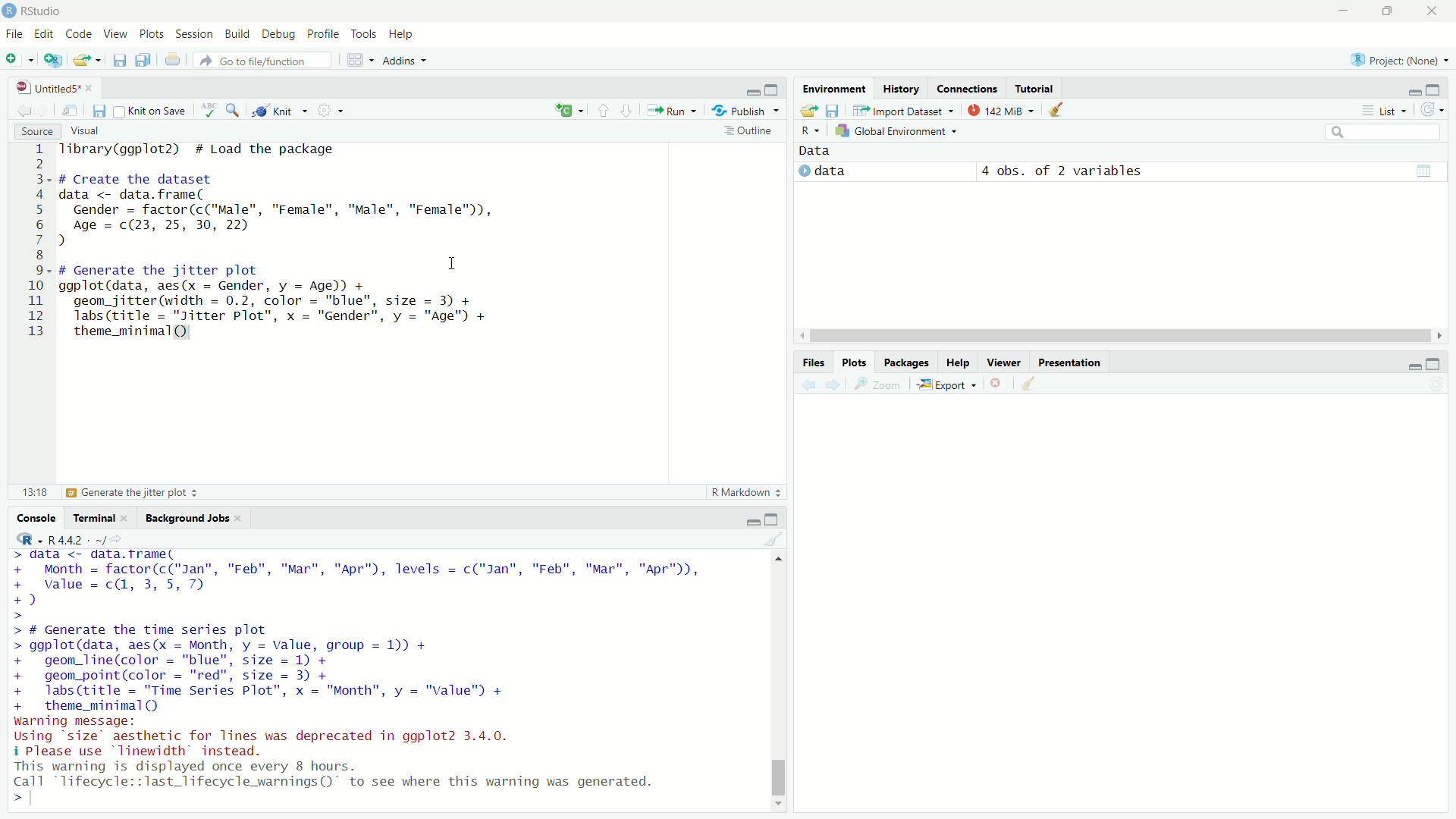 The height and width of the screenshot is (819, 1456). I want to click on warning message, so click(272, 736).